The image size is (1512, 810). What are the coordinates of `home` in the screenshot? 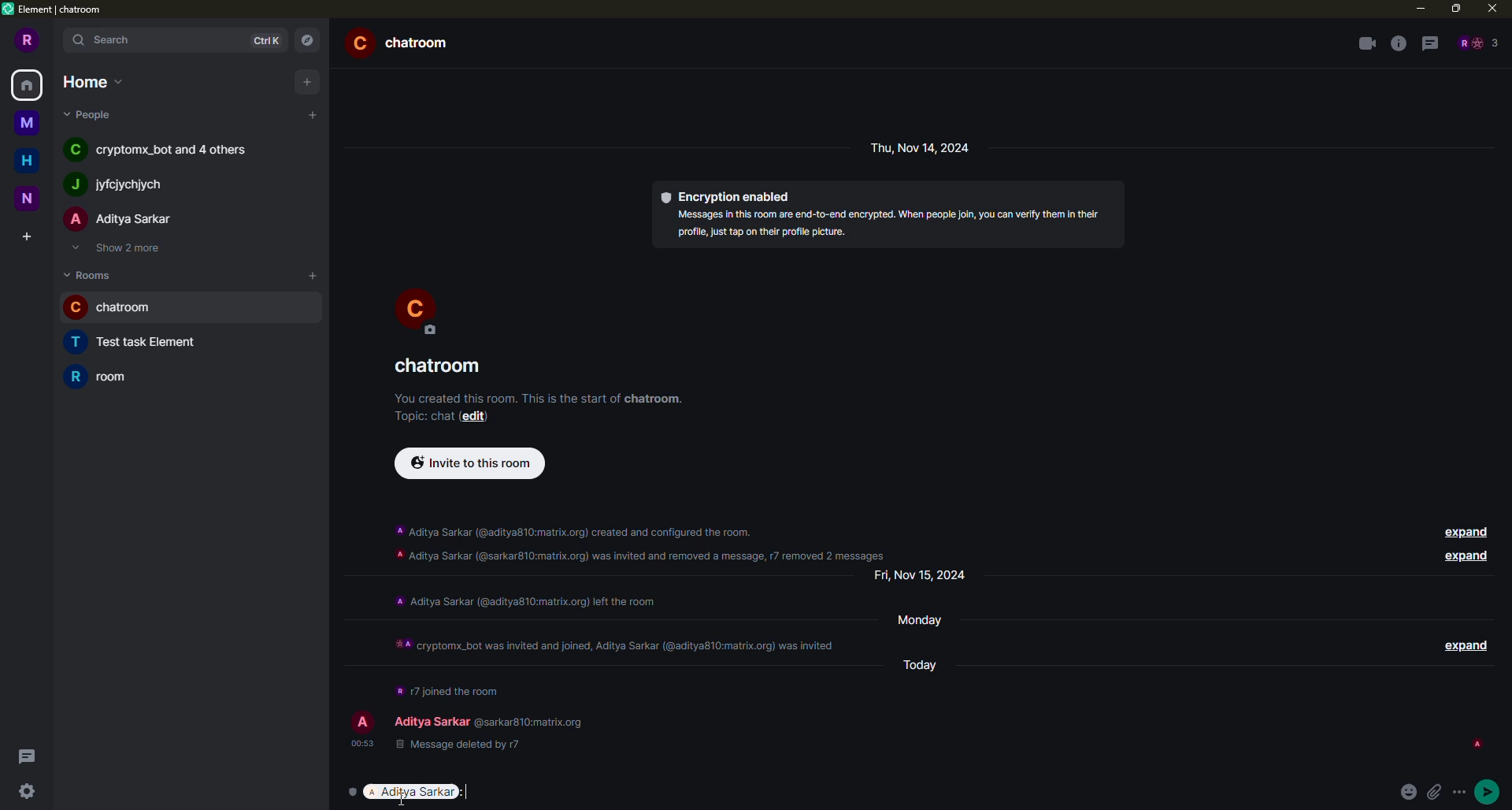 It's located at (90, 80).